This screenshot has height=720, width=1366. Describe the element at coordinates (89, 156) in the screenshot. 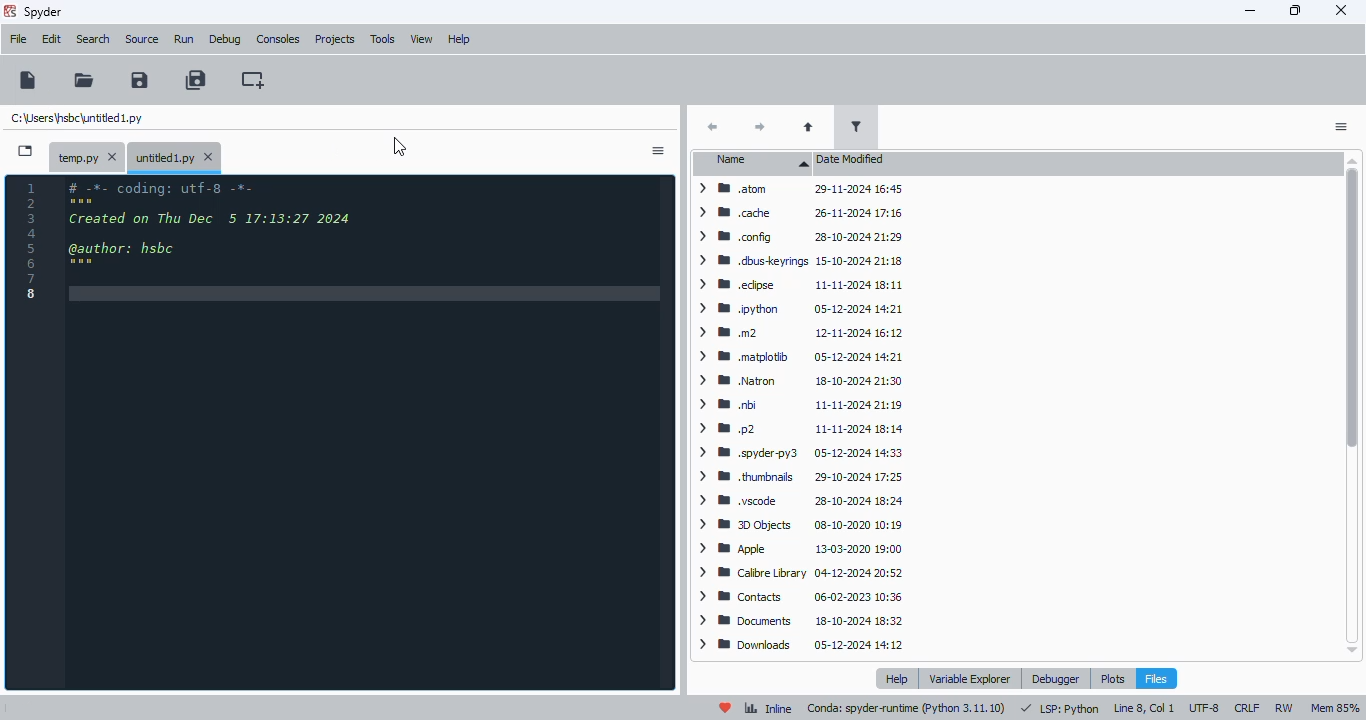

I see `temporary file` at that location.